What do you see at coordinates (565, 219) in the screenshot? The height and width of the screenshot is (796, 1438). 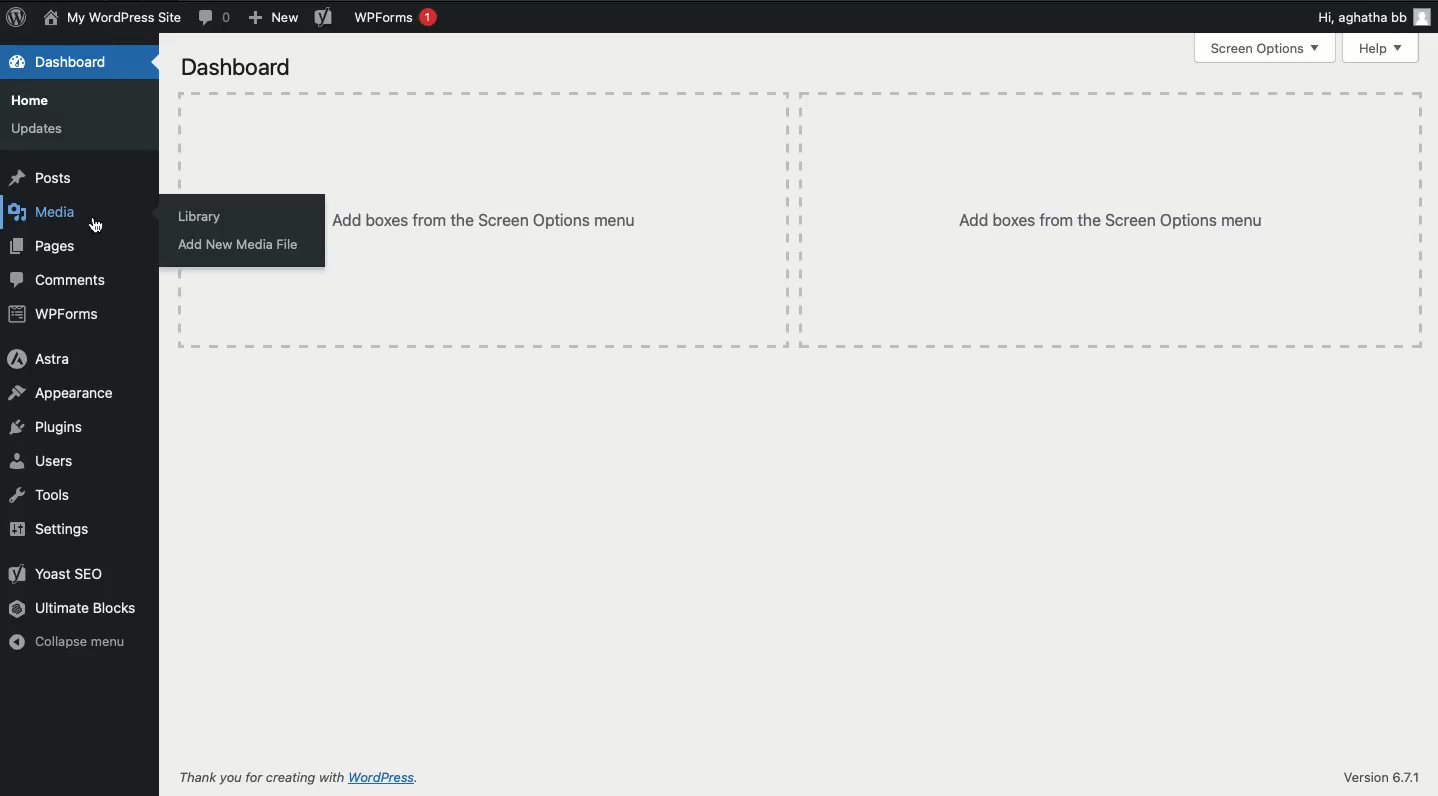 I see `Add boxes from the screen options menu` at bounding box center [565, 219].